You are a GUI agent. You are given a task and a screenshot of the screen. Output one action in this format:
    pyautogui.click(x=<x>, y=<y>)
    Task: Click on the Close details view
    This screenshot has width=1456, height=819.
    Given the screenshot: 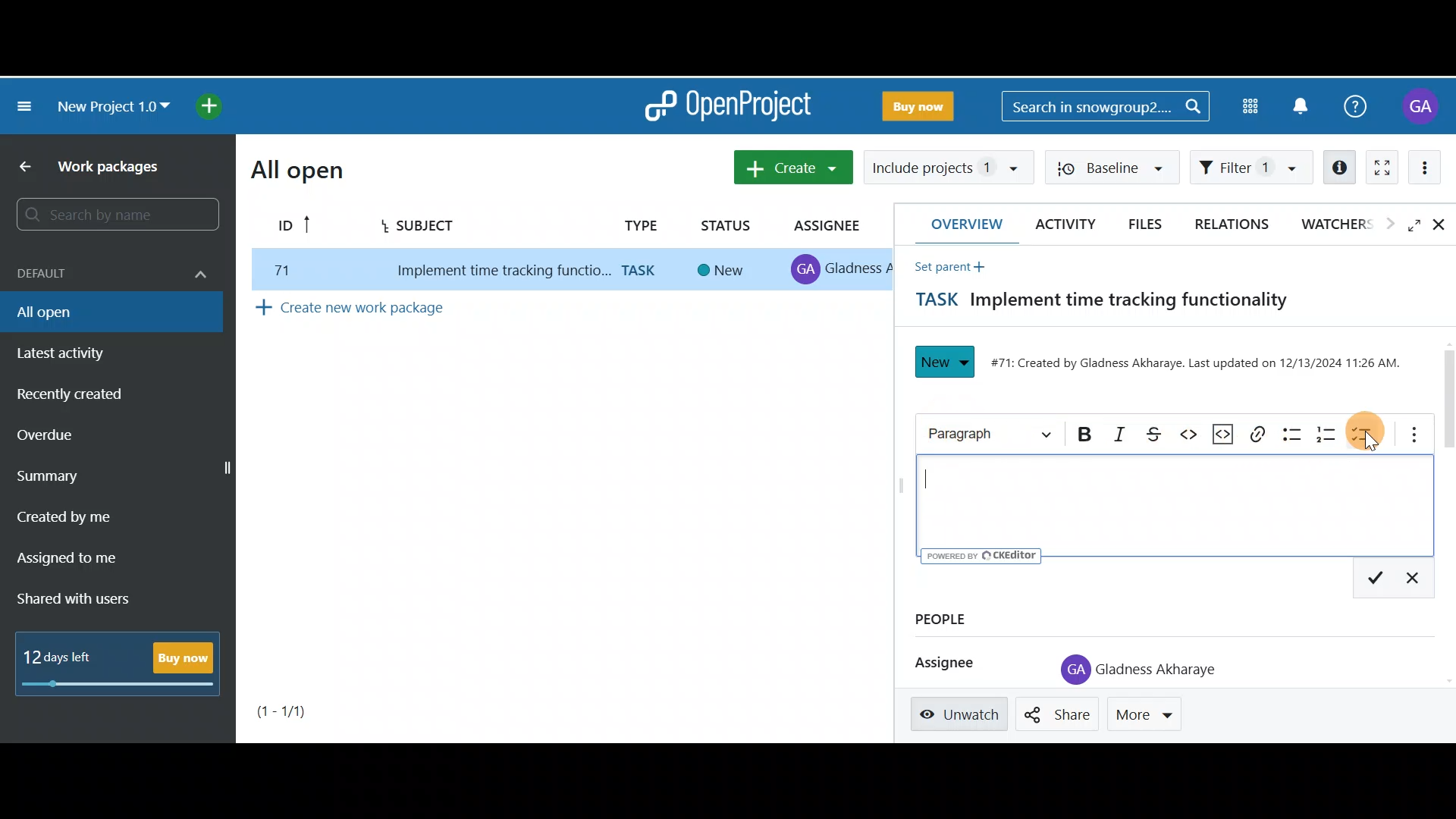 What is the action you would take?
    pyautogui.click(x=1442, y=226)
    